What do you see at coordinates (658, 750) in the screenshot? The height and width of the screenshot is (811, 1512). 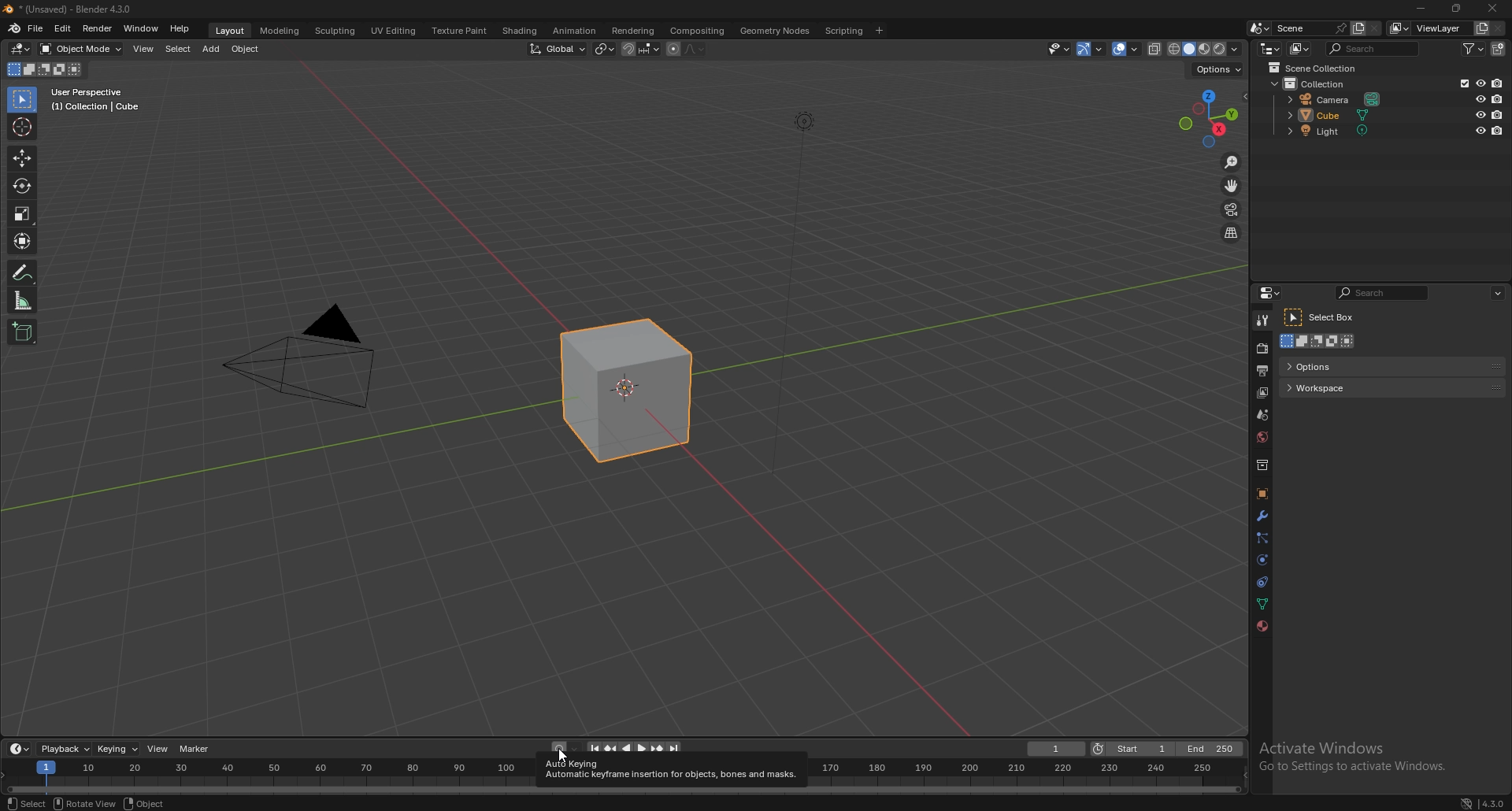 I see `jump to key frame` at bounding box center [658, 750].